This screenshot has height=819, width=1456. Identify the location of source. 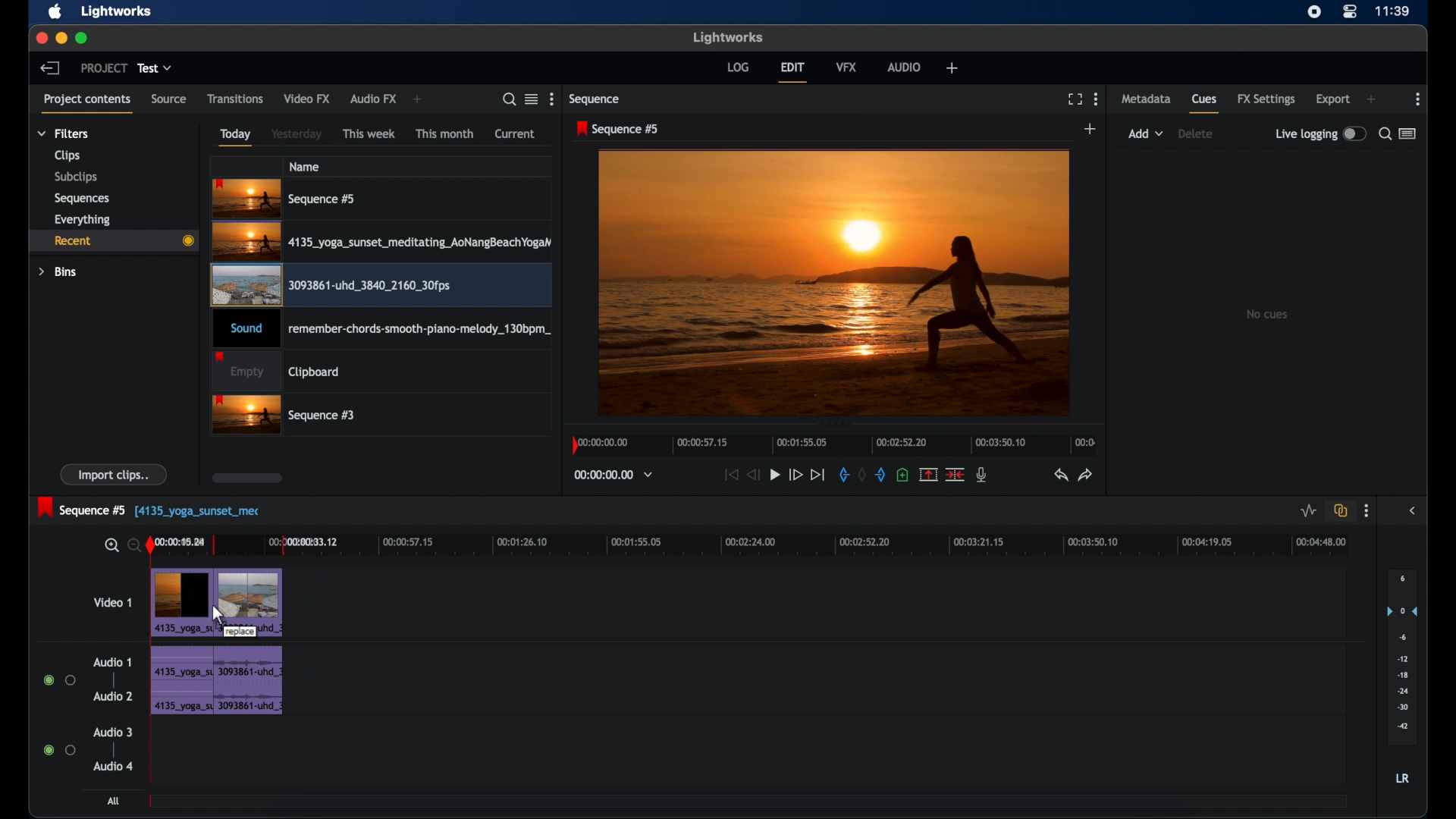
(169, 99).